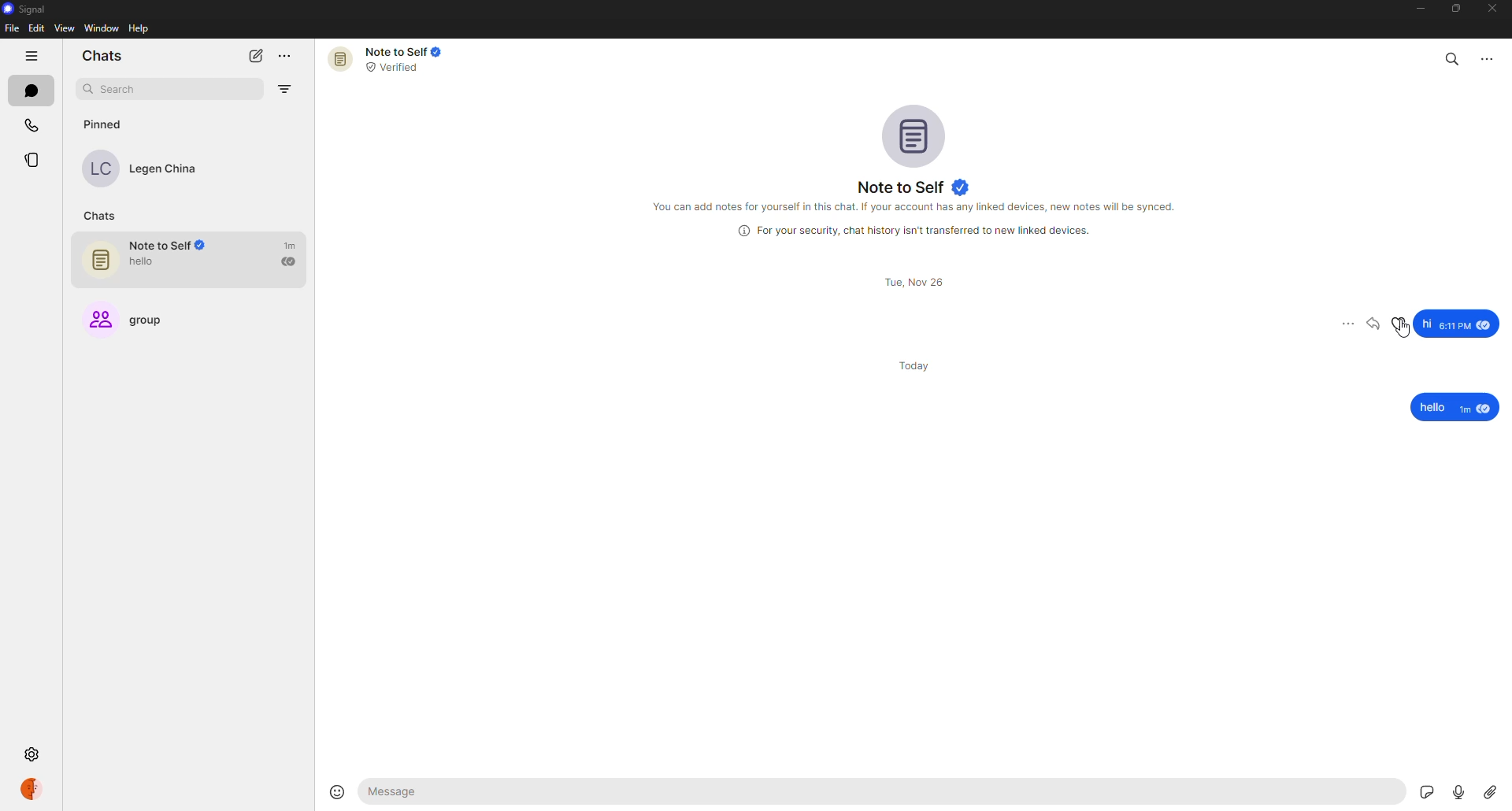 Image resolution: width=1512 pixels, height=811 pixels. What do you see at coordinates (28, 9) in the screenshot?
I see `signal` at bounding box center [28, 9].